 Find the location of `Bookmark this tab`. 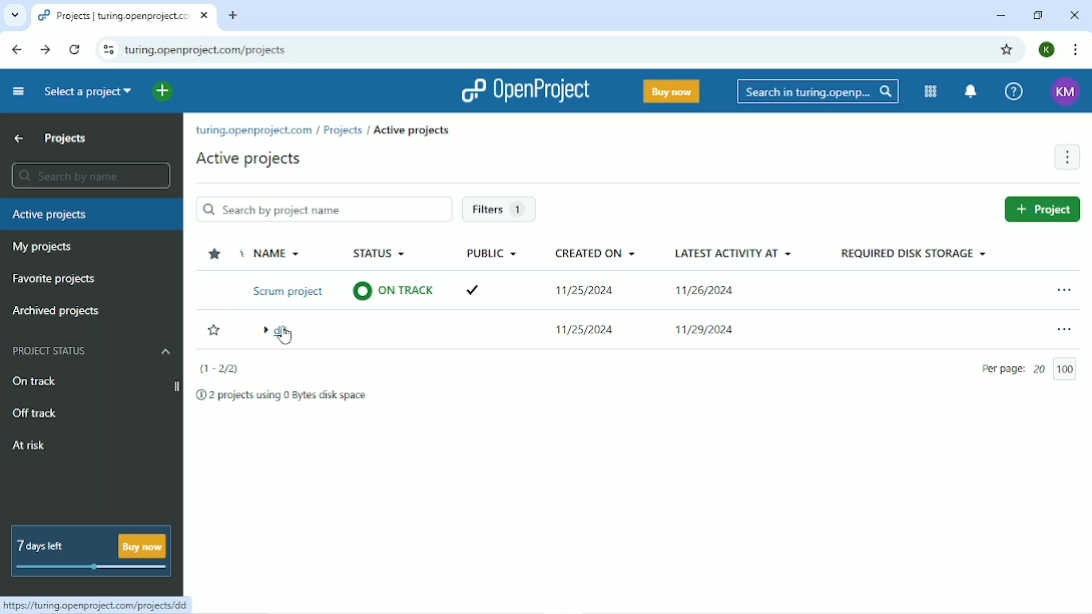

Bookmark this tab is located at coordinates (1006, 49).